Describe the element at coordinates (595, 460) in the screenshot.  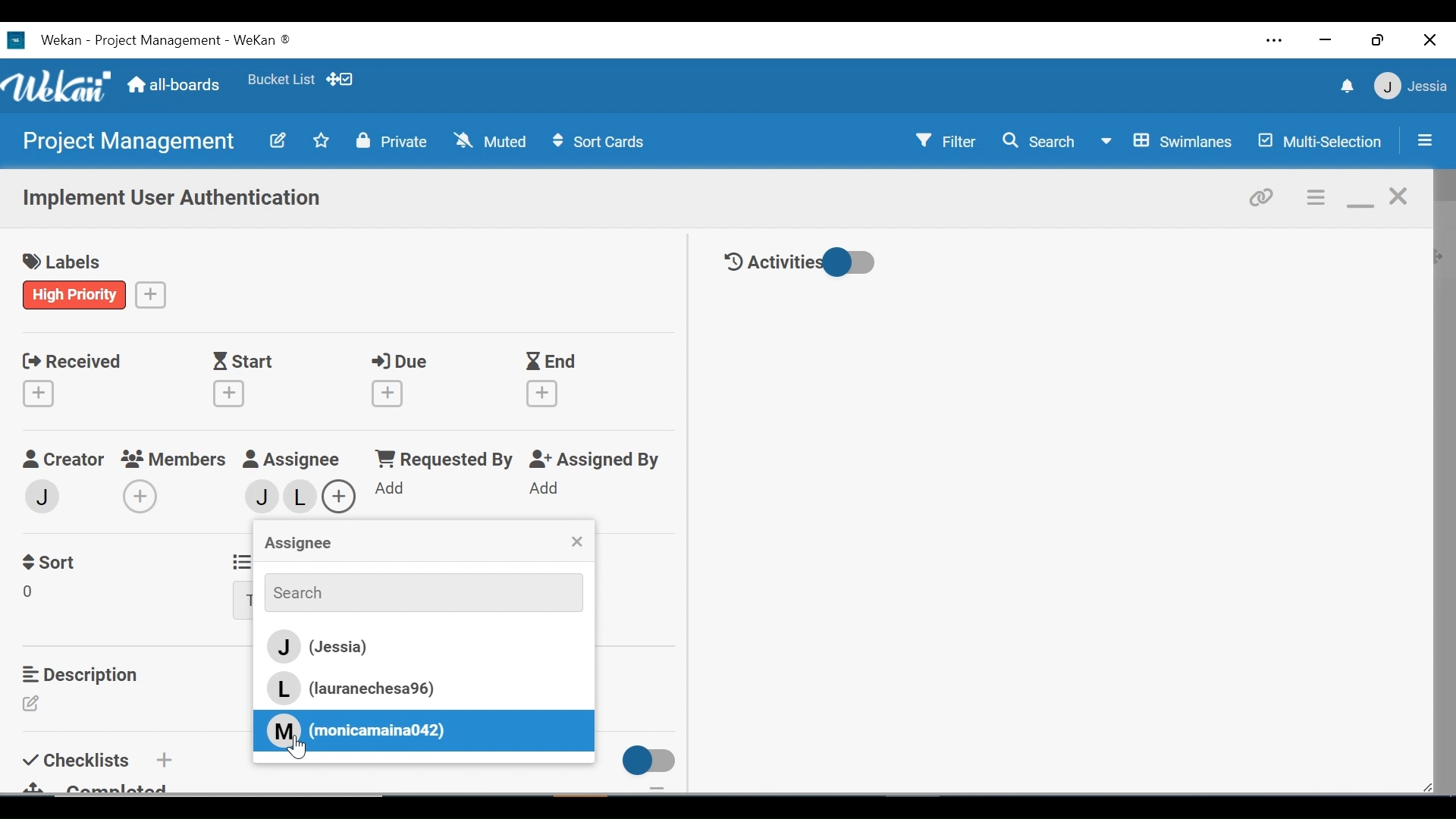
I see `Assigned By` at that location.